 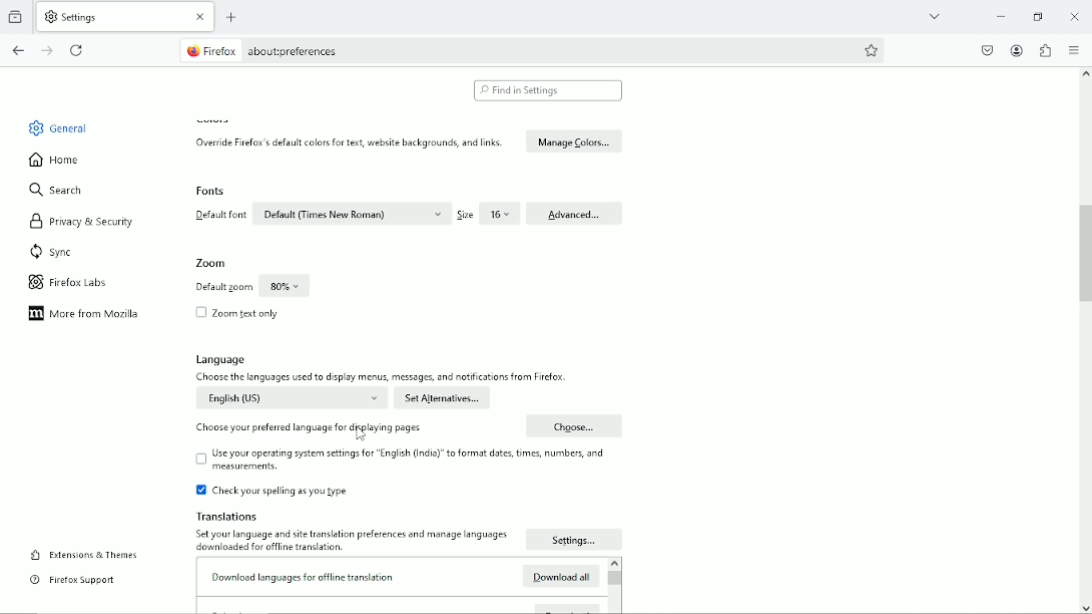 What do you see at coordinates (349, 142) in the screenshot?
I see `‘Override Firefox's default colors for text, website backgrounds, and links.` at bounding box center [349, 142].